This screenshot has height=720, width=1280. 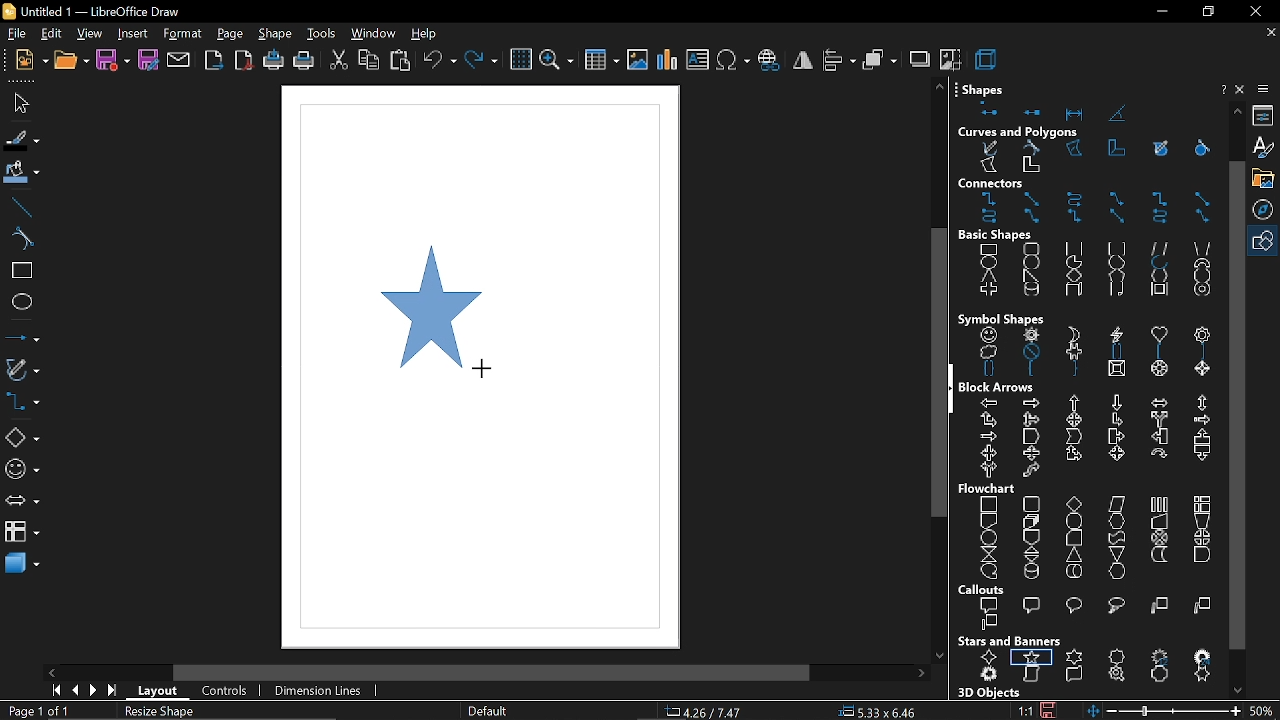 I want to click on curves and polygons, so click(x=1085, y=158).